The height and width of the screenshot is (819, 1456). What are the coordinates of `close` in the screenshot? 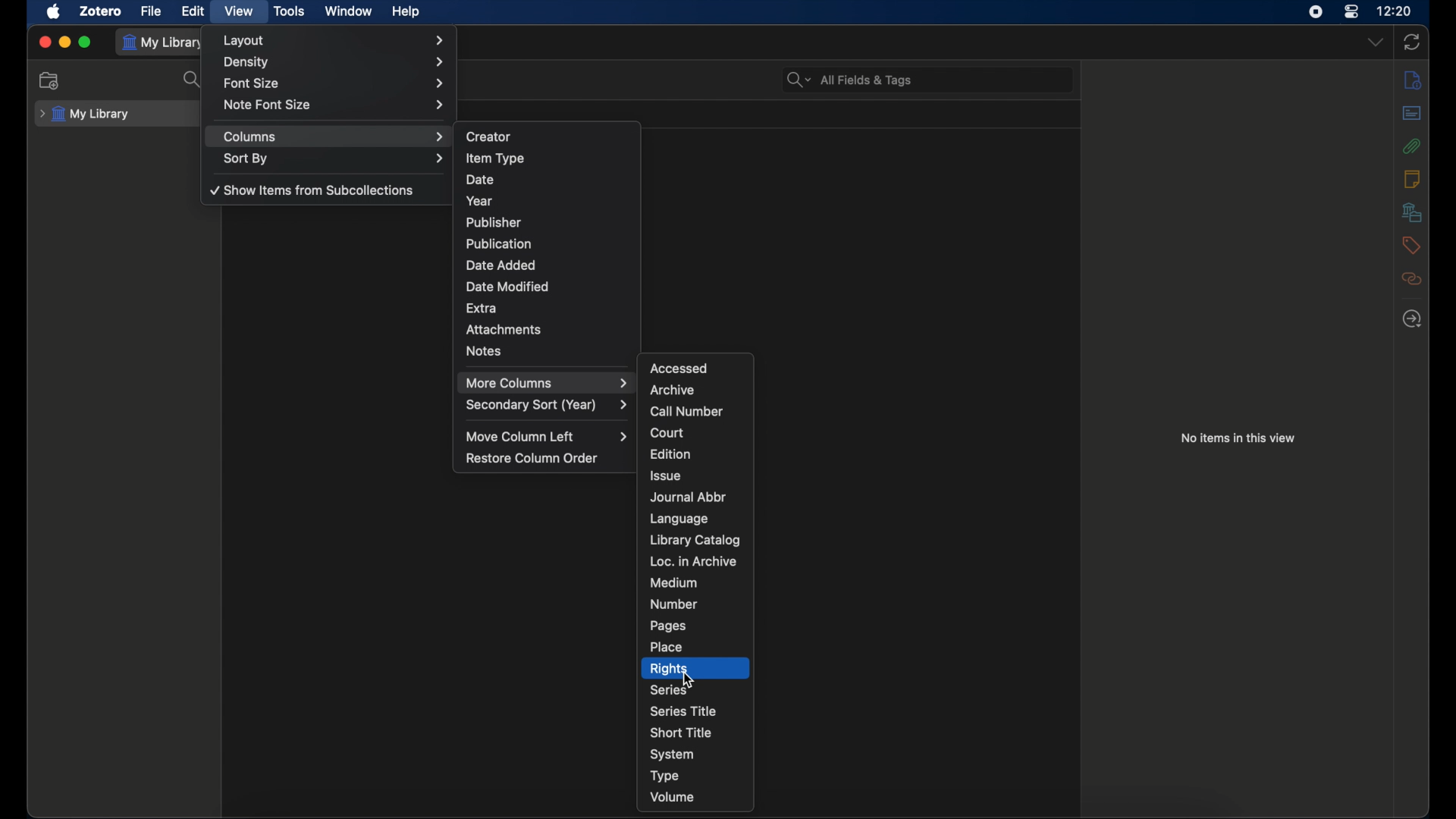 It's located at (44, 42).